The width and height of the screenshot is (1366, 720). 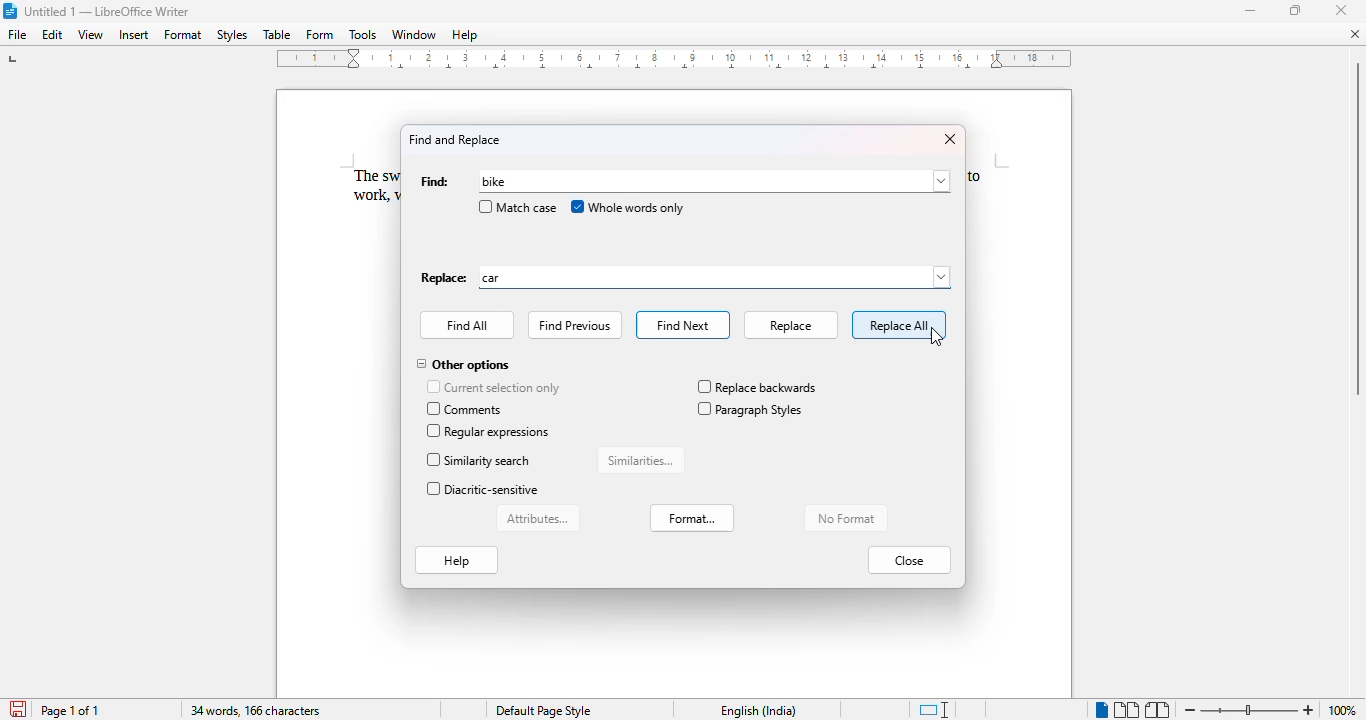 What do you see at coordinates (937, 338) in the screenshot?
I see `cursor` at bounding box center [937, 338].